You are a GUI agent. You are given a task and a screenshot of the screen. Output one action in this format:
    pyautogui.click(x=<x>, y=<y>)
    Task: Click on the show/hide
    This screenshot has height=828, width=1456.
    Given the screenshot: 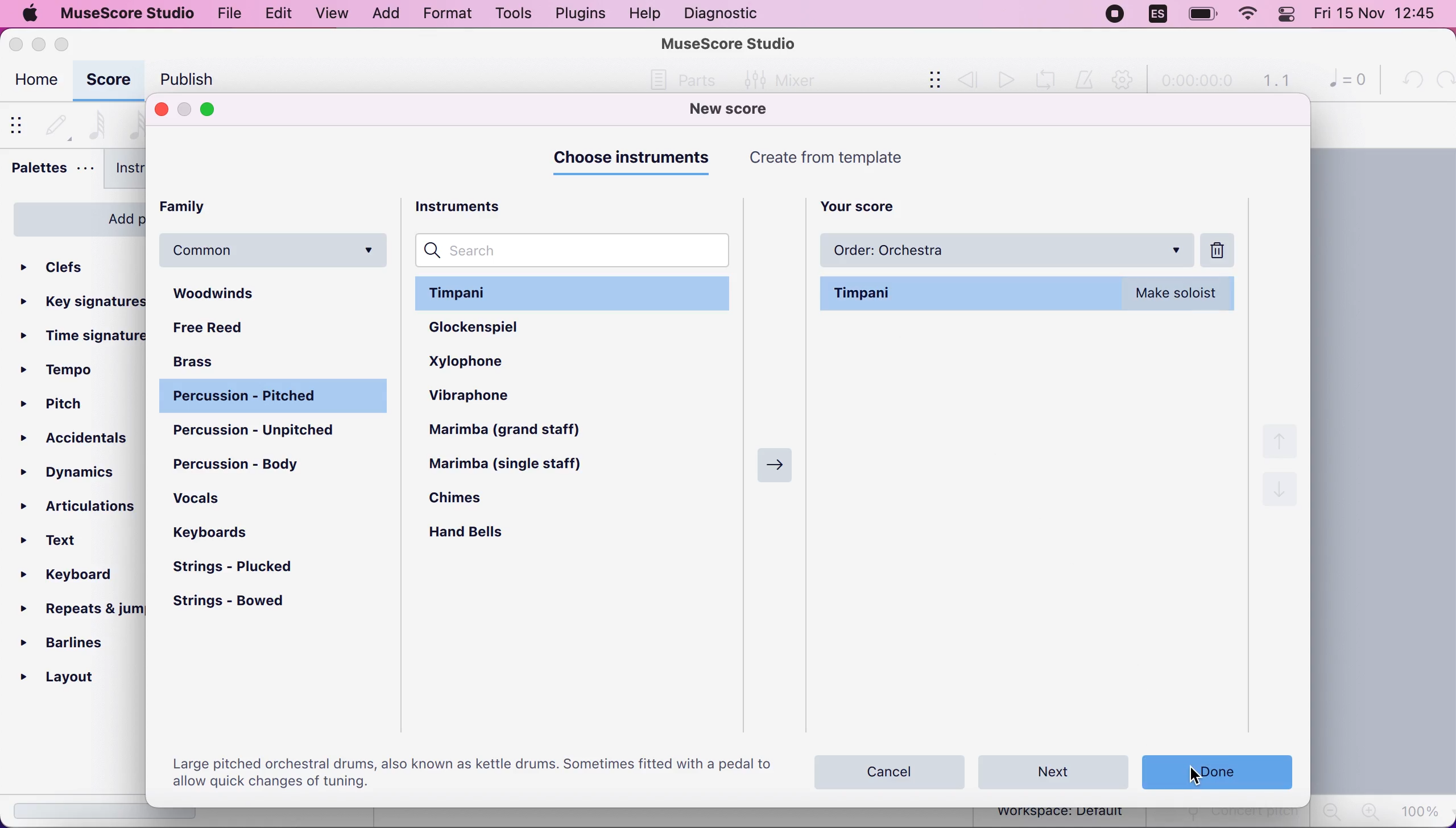 What is the action you would take?
    pyautogui.click(x=20, y=124)
    